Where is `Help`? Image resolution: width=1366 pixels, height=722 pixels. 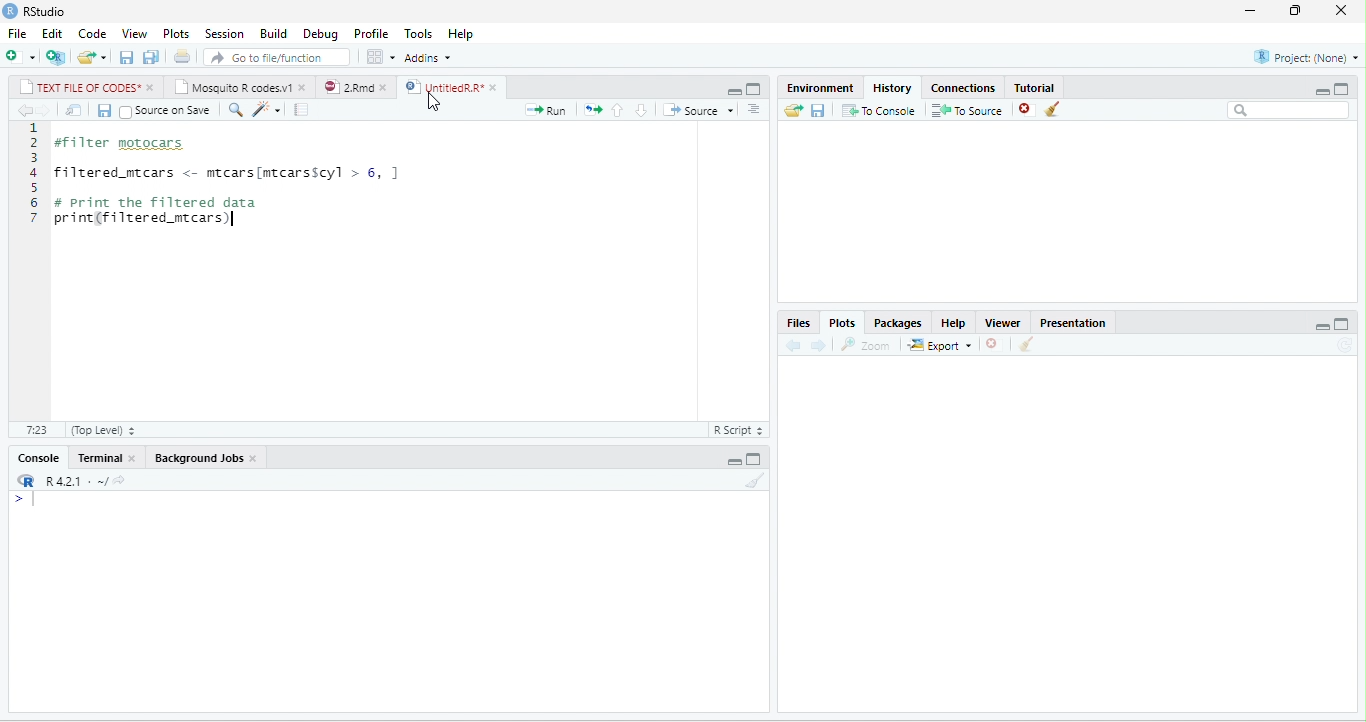 Help is located at coordinates (460, 34).